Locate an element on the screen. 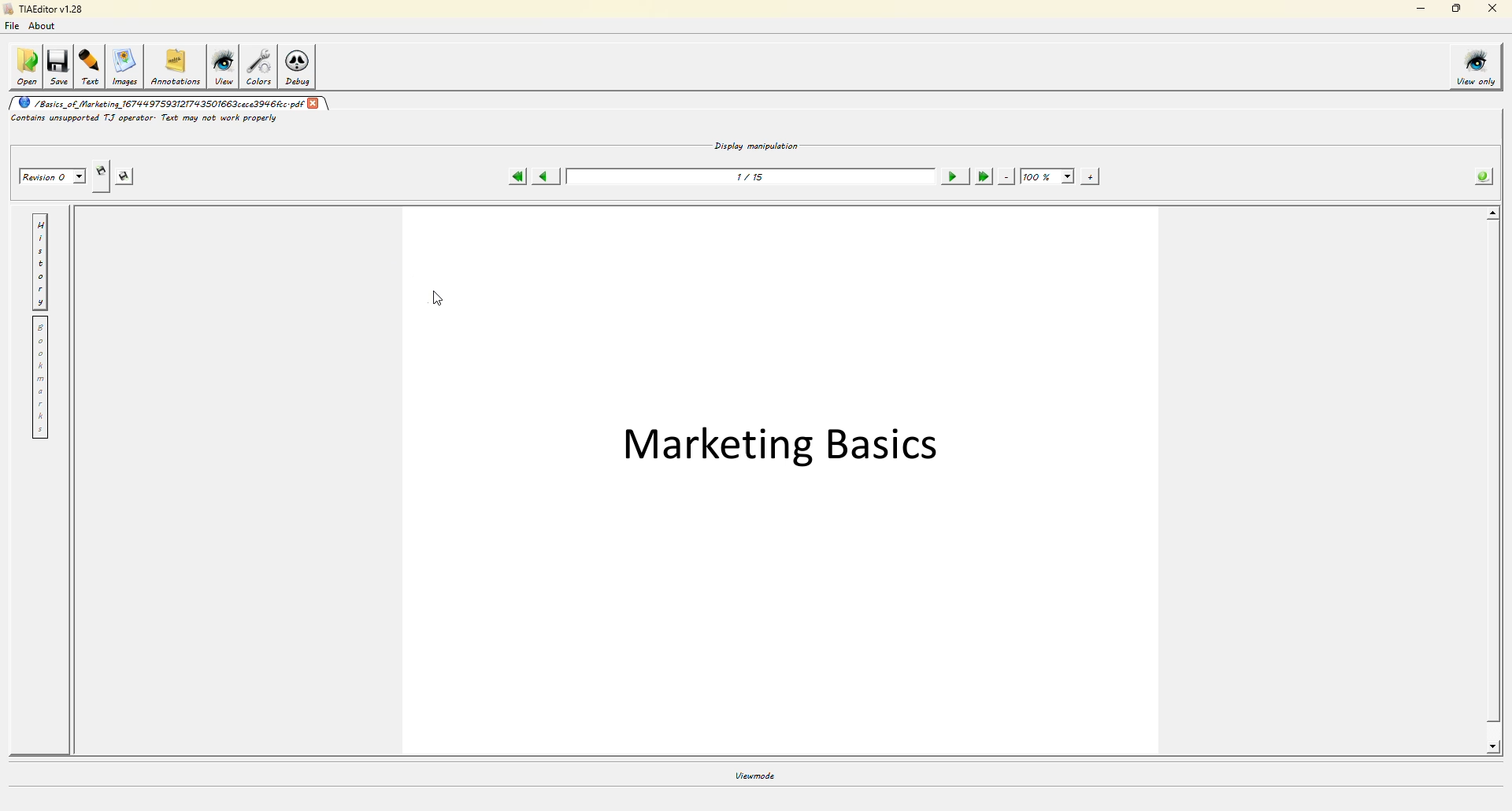 This screenshot has width=1512, height=811. about is located at coordinates (42, 26).